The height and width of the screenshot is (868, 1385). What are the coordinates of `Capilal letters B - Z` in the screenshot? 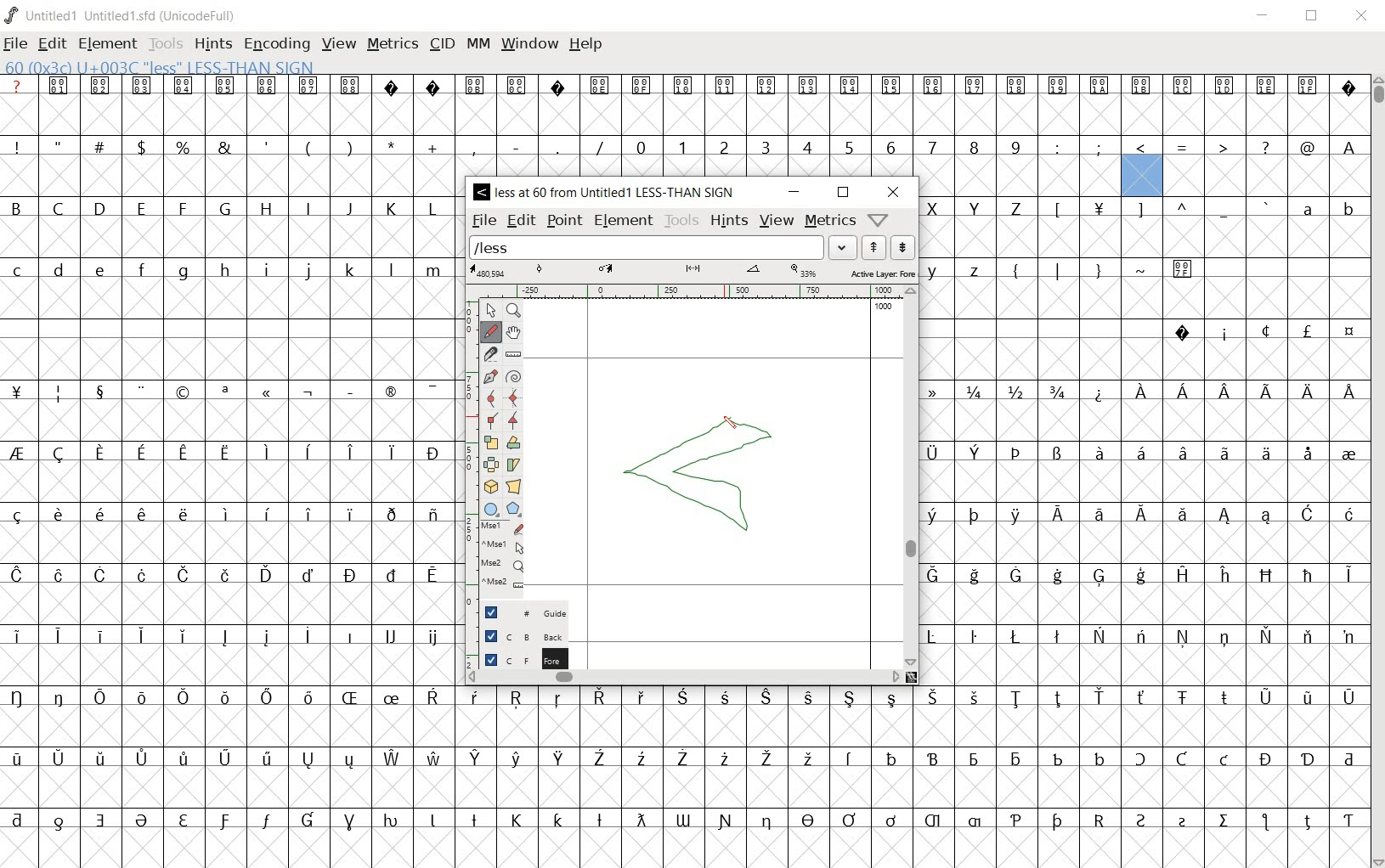 It's located at (229, 208).